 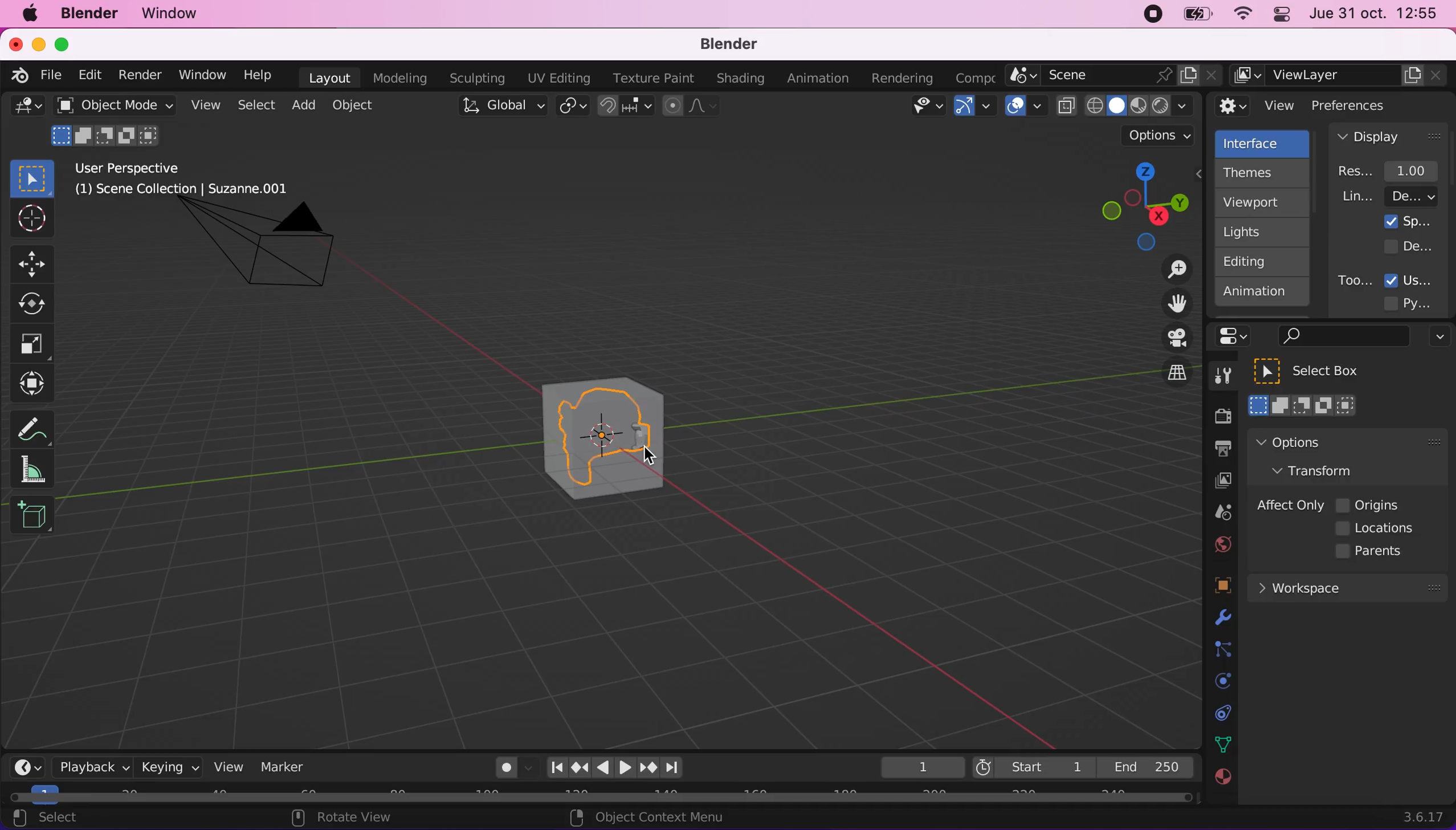 What do you see at coordinates (37, 426) in the screenshot?
I see `annotate` at bounding box center [37, 426].